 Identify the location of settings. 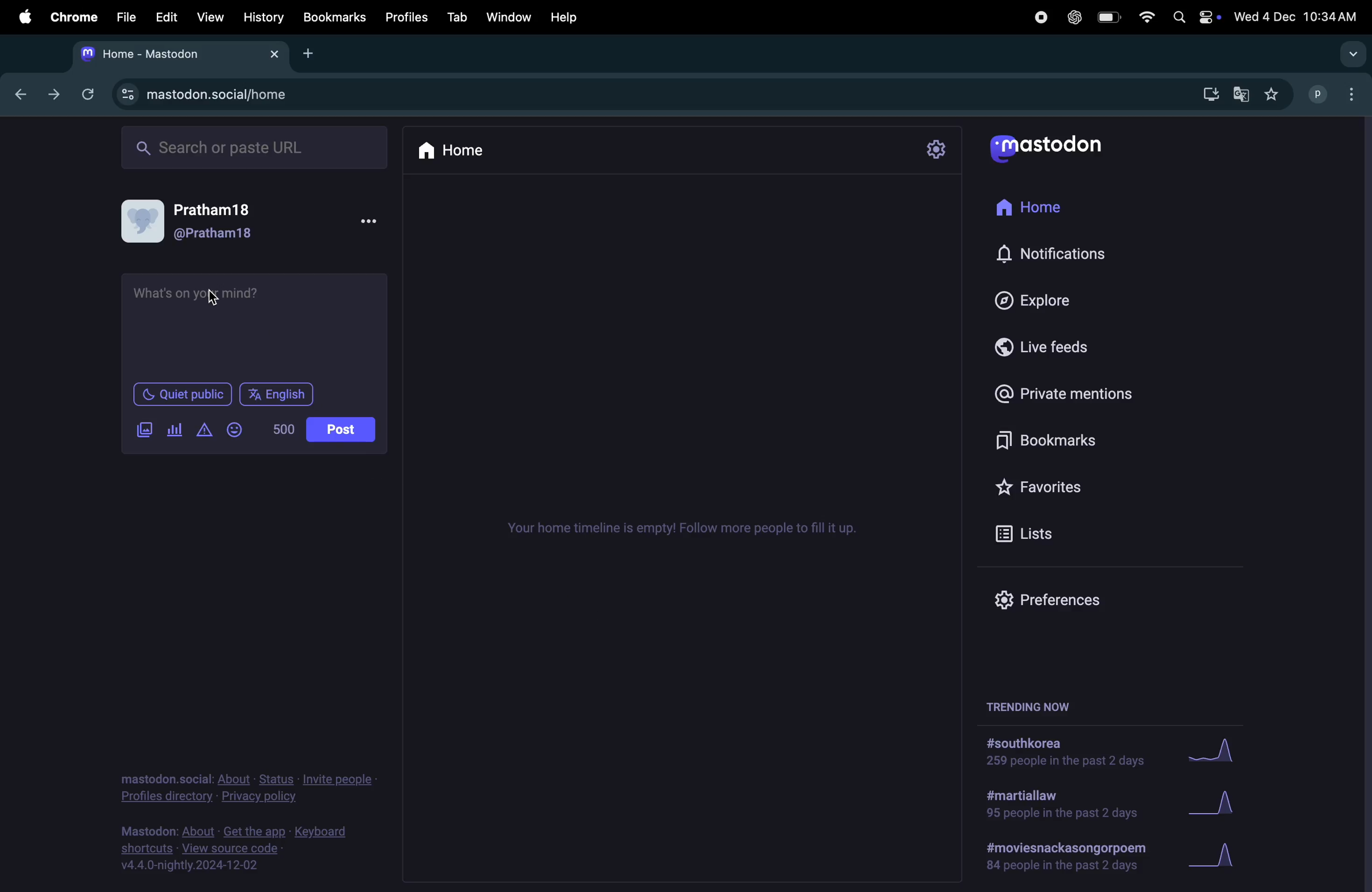
(939, 149).